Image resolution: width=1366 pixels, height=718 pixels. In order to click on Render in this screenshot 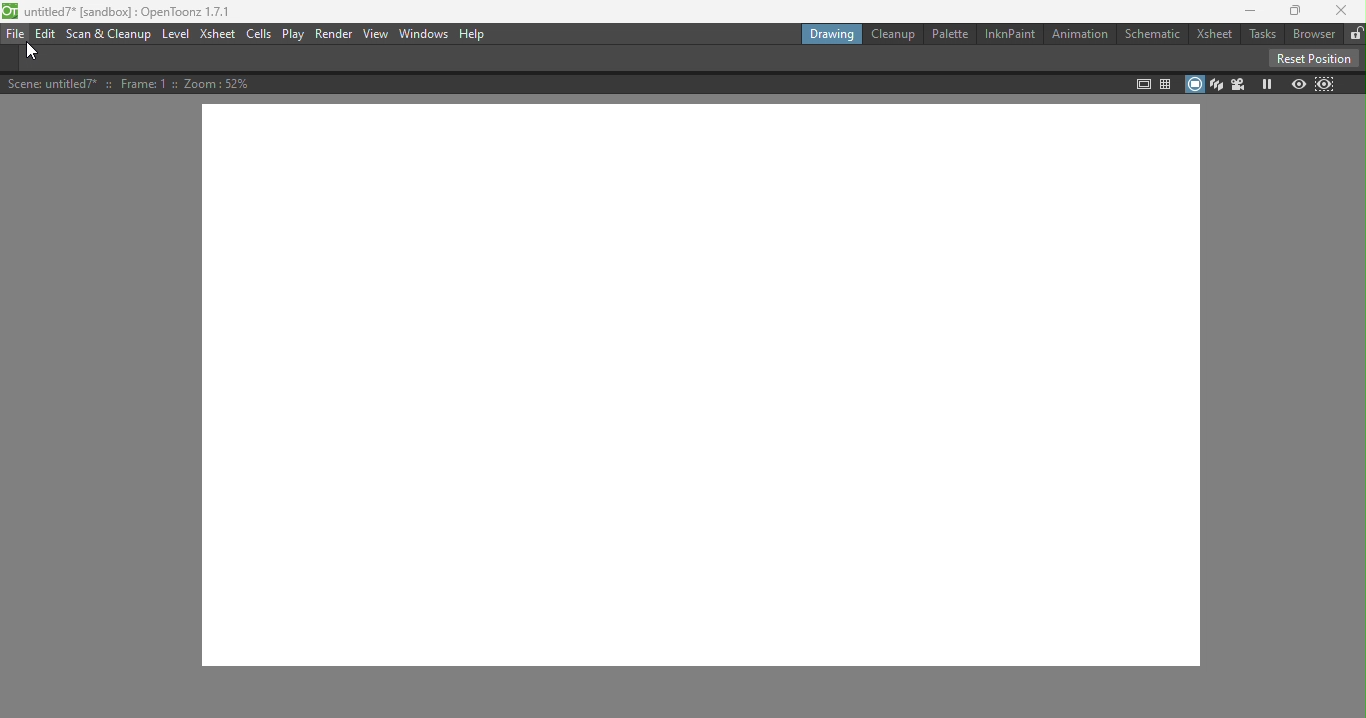, I will do `click(334, 34)`.